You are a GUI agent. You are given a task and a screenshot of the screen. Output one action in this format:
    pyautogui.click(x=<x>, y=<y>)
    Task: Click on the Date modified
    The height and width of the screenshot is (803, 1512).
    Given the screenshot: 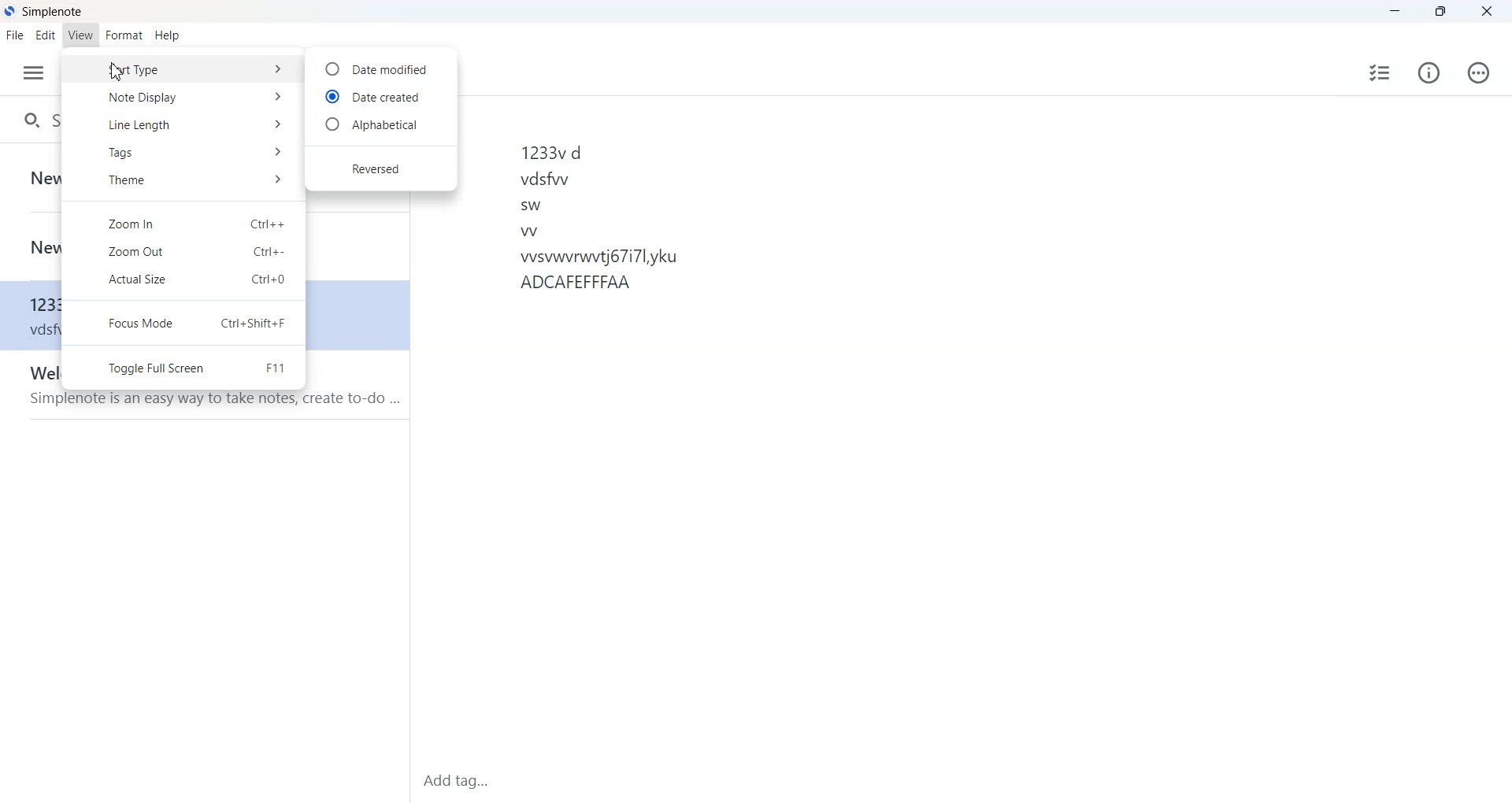 What is the action you would take?
    pyautogui.click(x=380, y=68)
    